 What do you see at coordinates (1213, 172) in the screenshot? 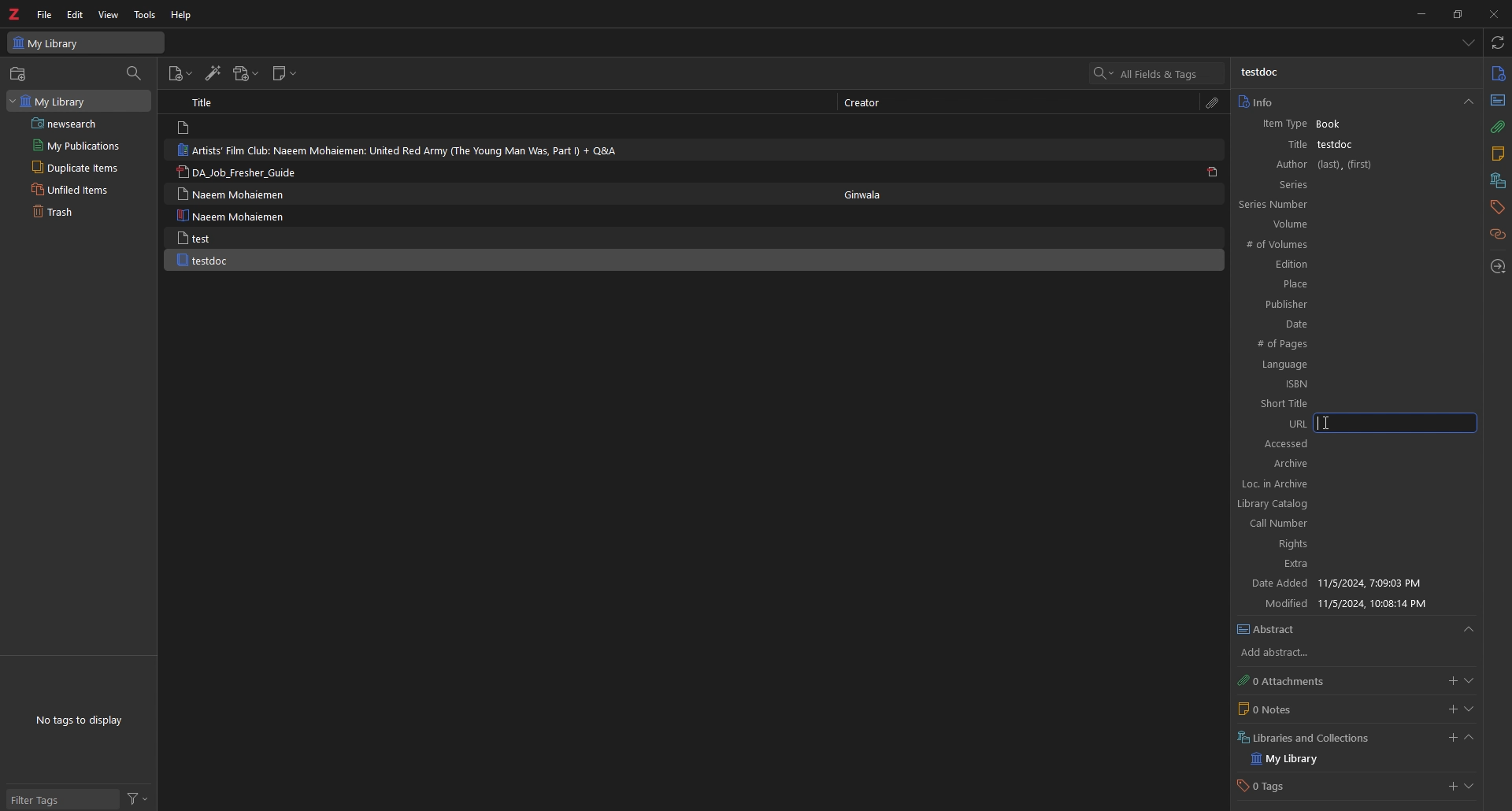
I see `pdf` at bounding box center [1213, 172].